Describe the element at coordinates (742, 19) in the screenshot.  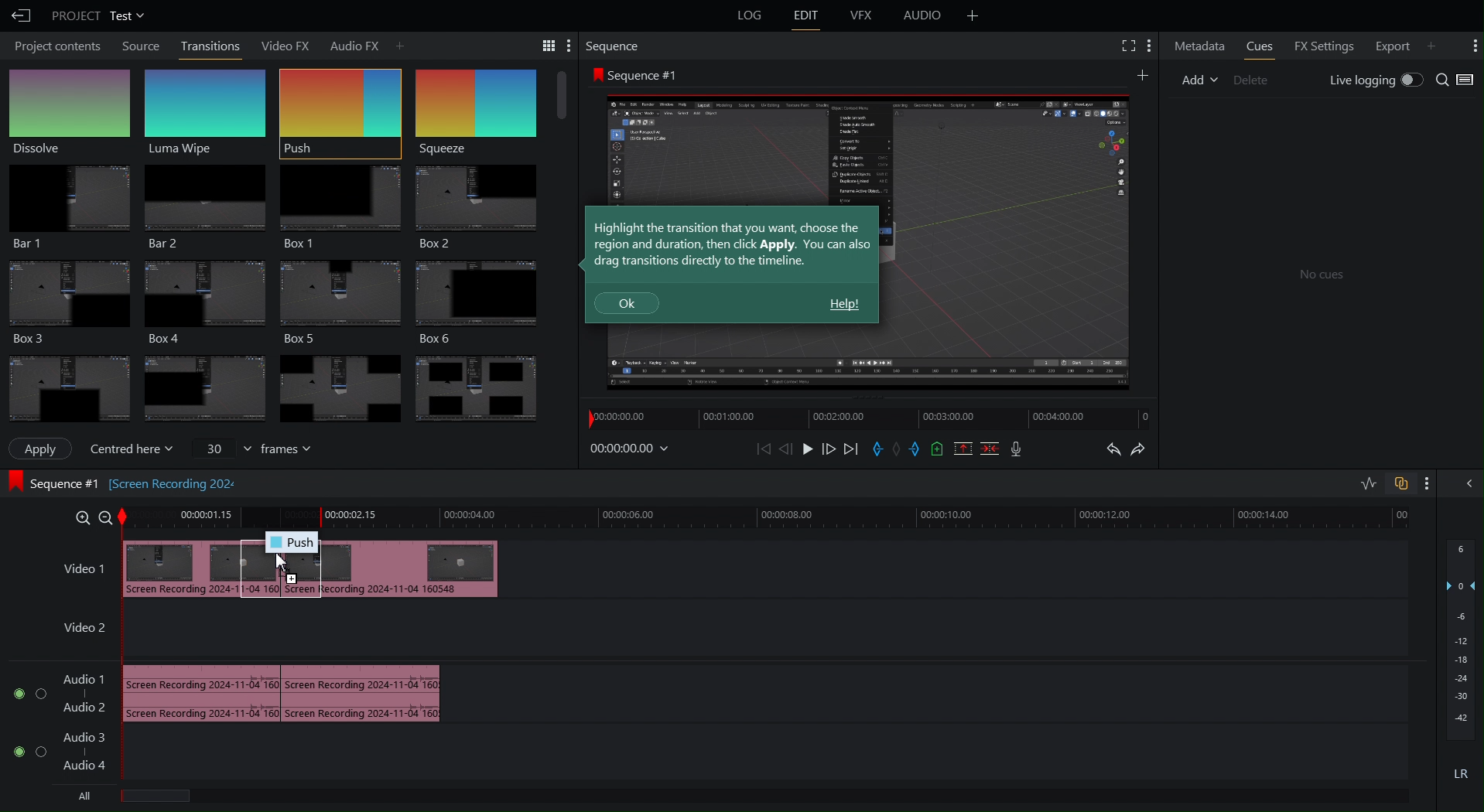
I see `Logs` at that location.